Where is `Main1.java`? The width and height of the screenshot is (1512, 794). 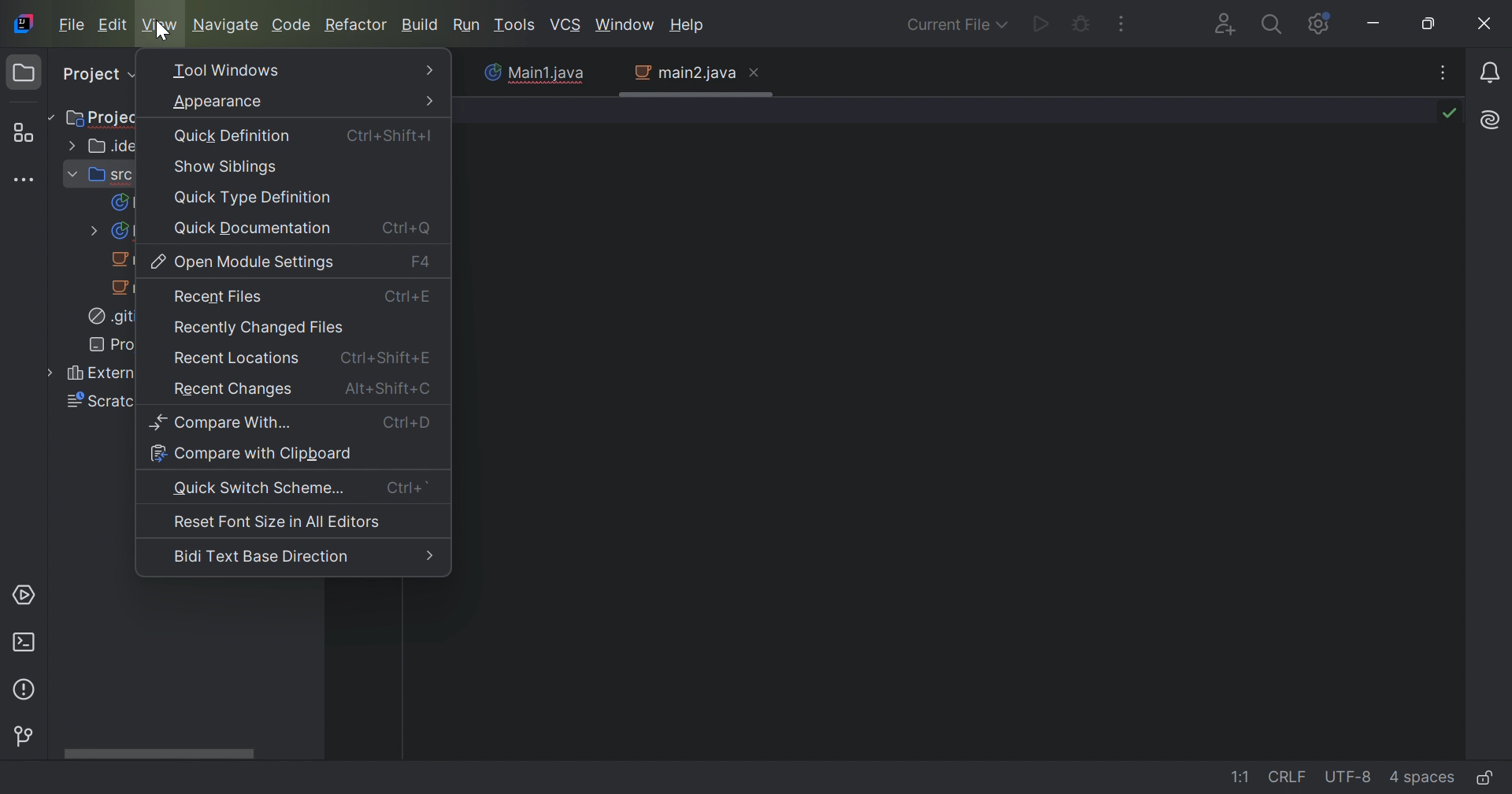
Main1.java is located at coordinates (107, 232).